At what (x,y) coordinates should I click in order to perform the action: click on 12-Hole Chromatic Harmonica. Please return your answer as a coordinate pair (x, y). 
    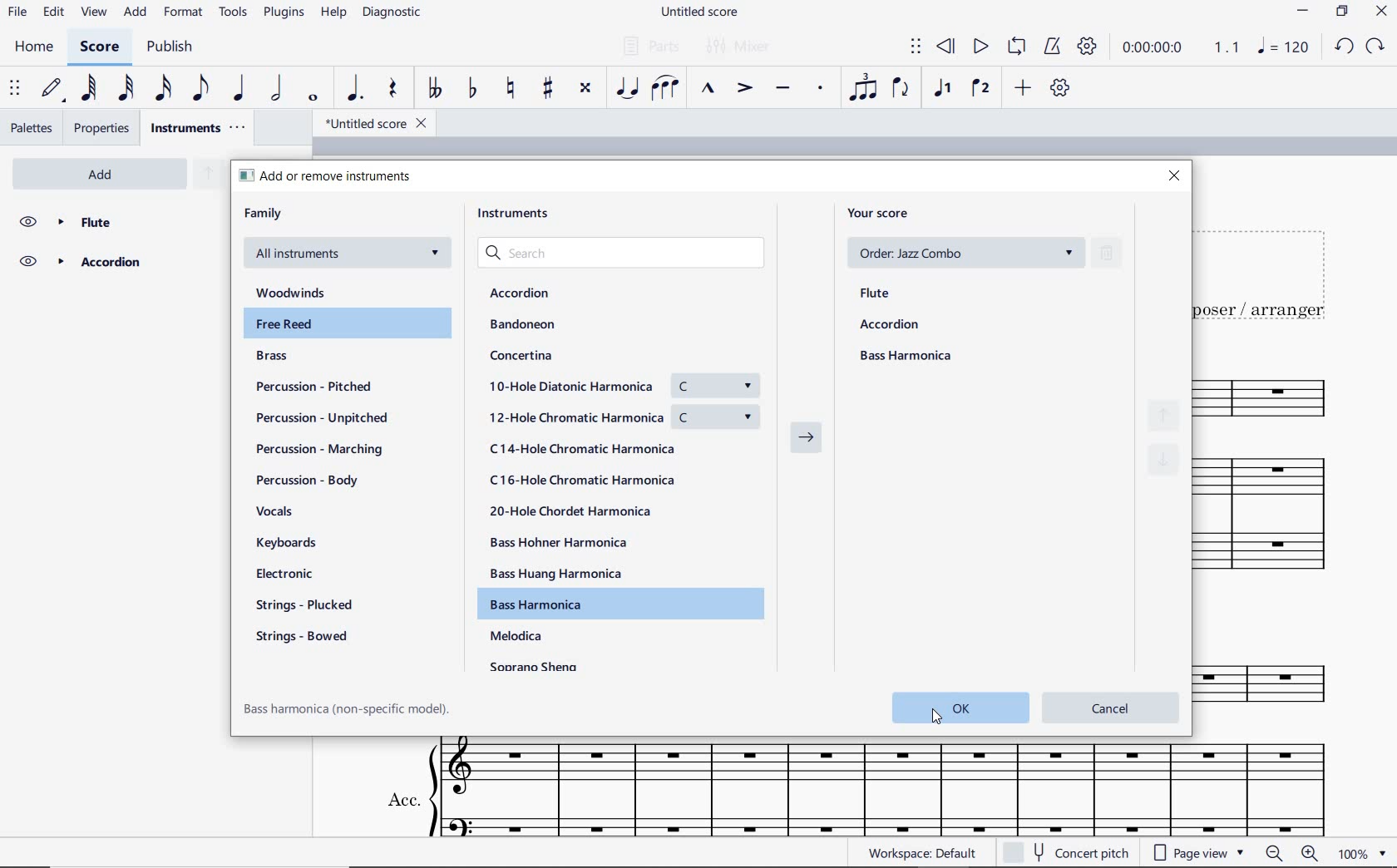
    Looking at the image, I should click on (623, 418).